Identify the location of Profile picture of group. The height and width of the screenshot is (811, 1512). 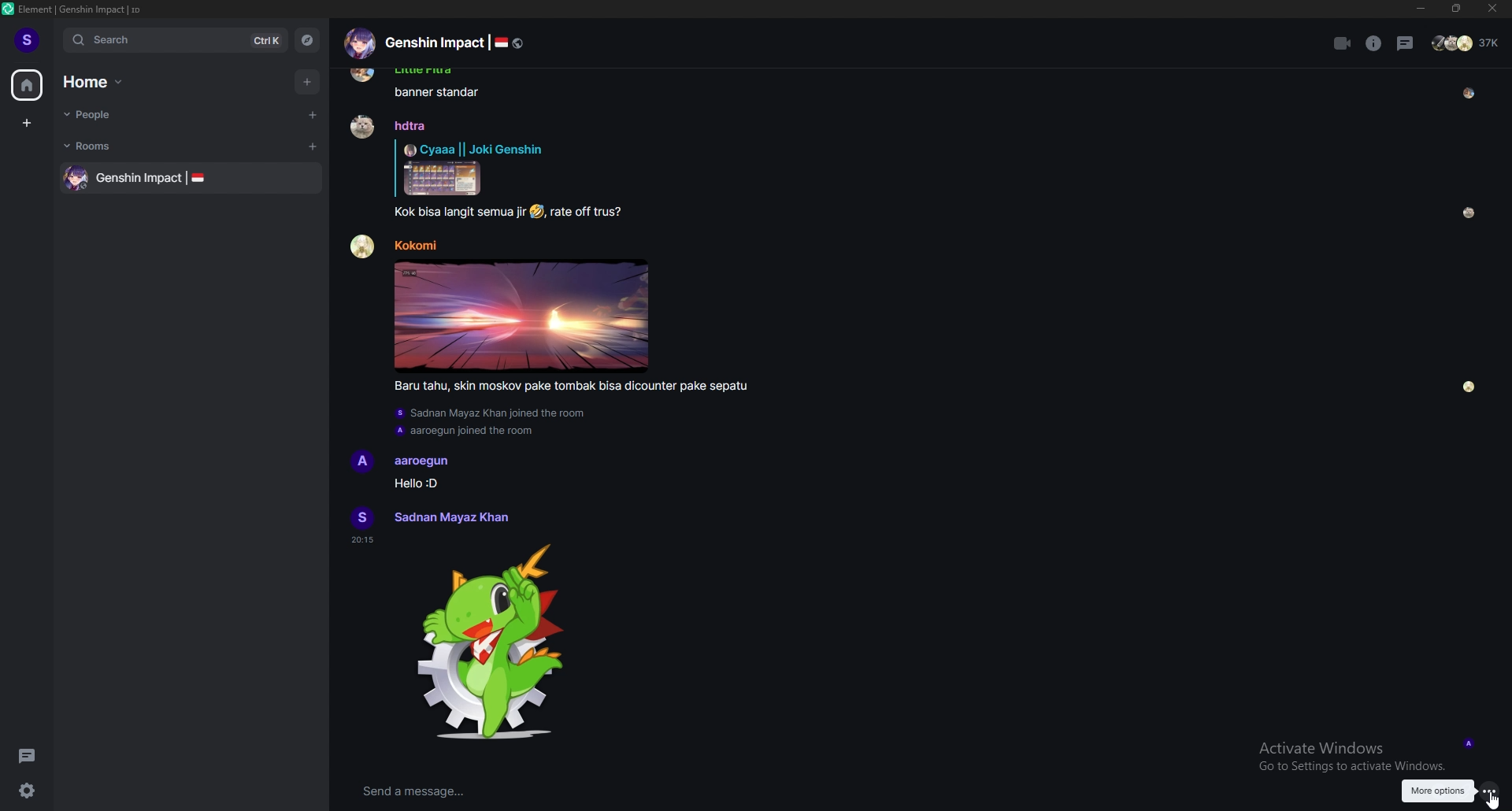
(76, 178).